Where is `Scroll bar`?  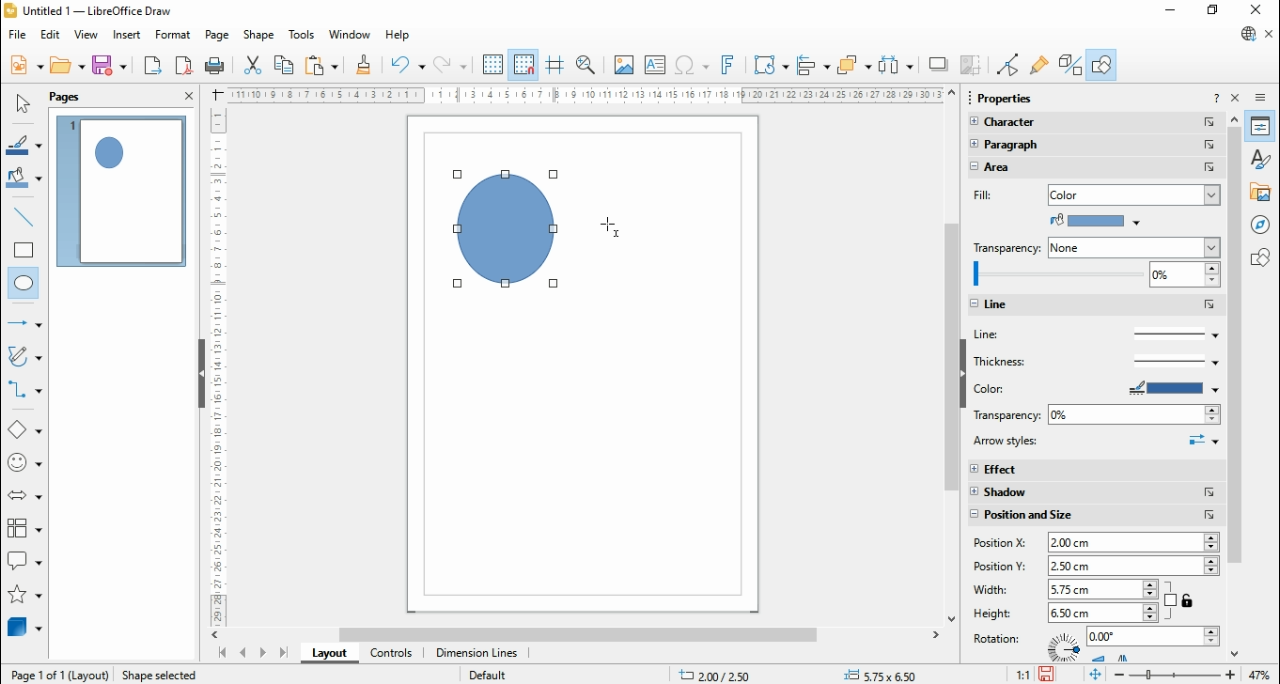
Scroll bar is located at coordinates (1235, 383).